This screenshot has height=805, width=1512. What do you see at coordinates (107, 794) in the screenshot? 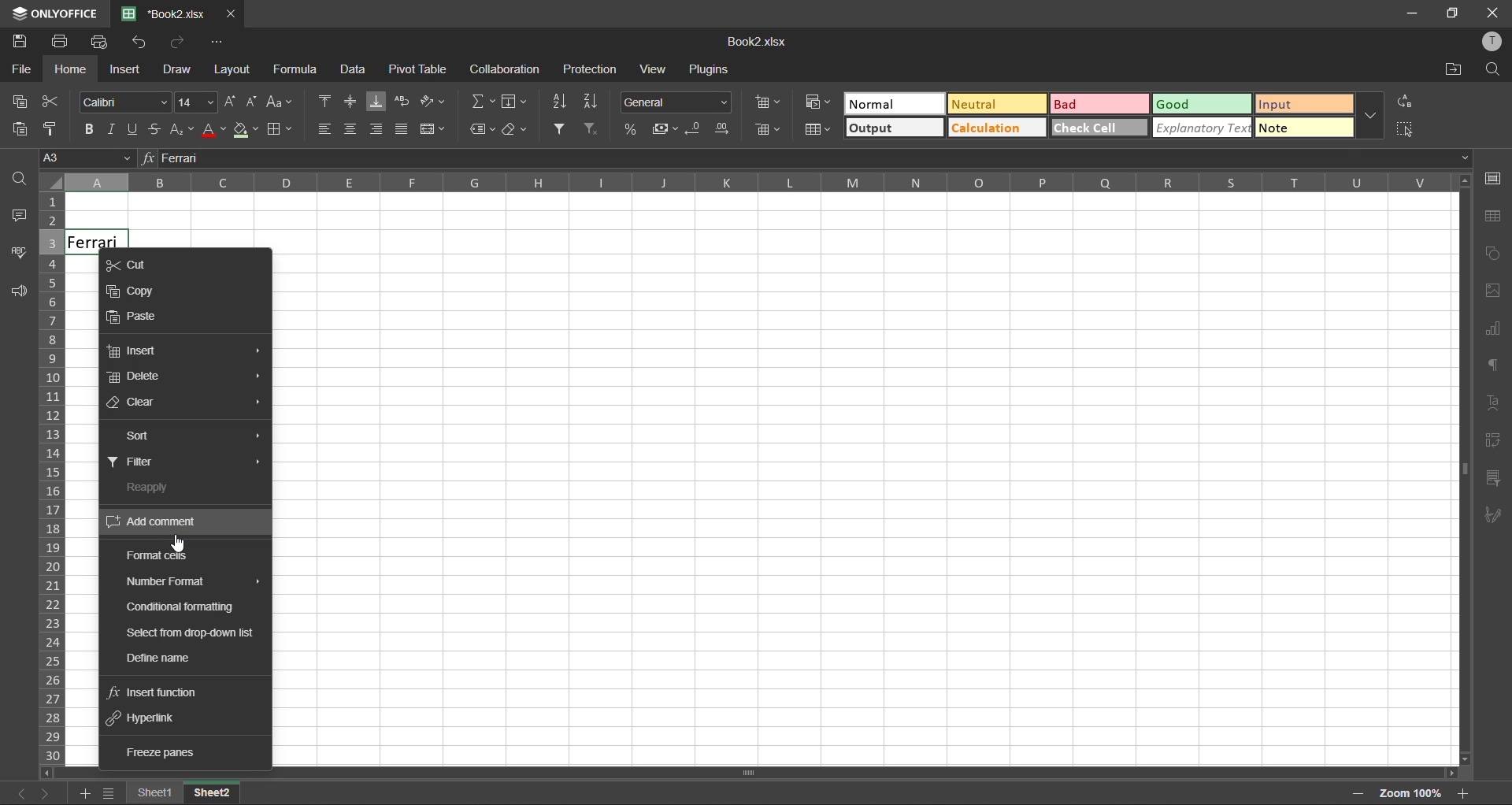
I see `sheet list` at bounding box center [107, 794].